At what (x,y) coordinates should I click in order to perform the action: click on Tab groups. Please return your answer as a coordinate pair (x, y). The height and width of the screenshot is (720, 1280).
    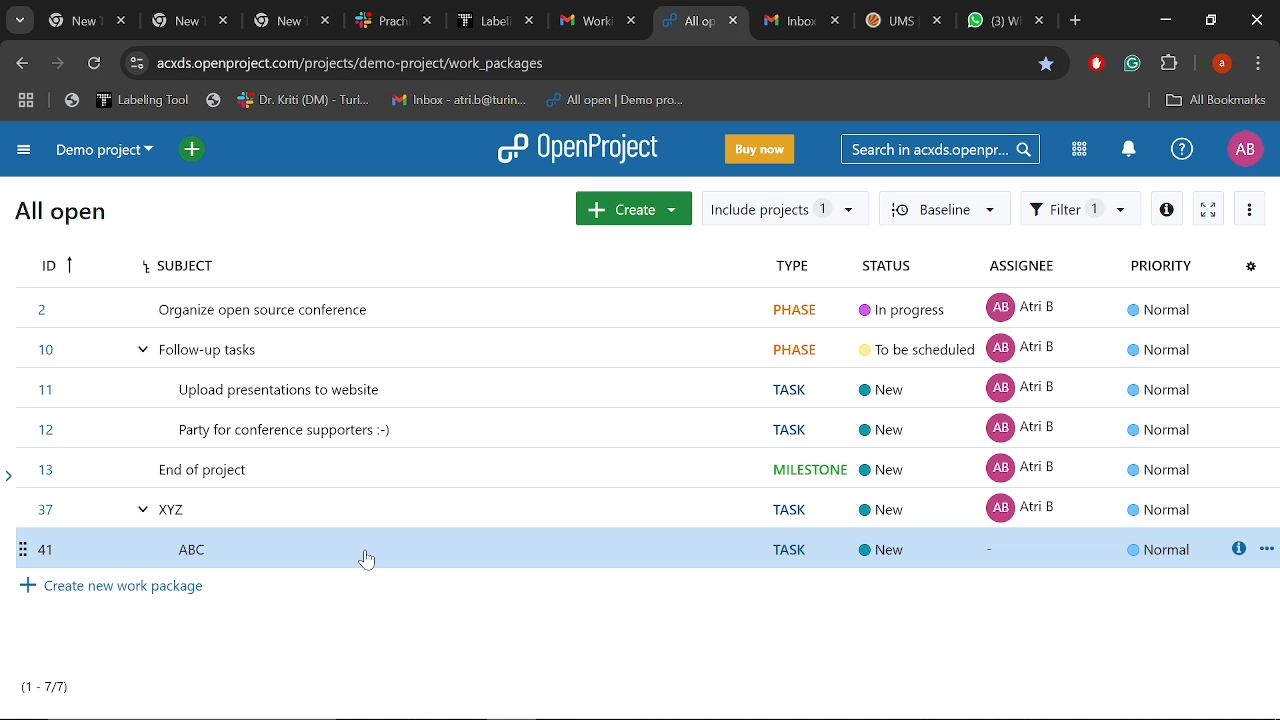
    Looking at the image, I should click on (28, 100).